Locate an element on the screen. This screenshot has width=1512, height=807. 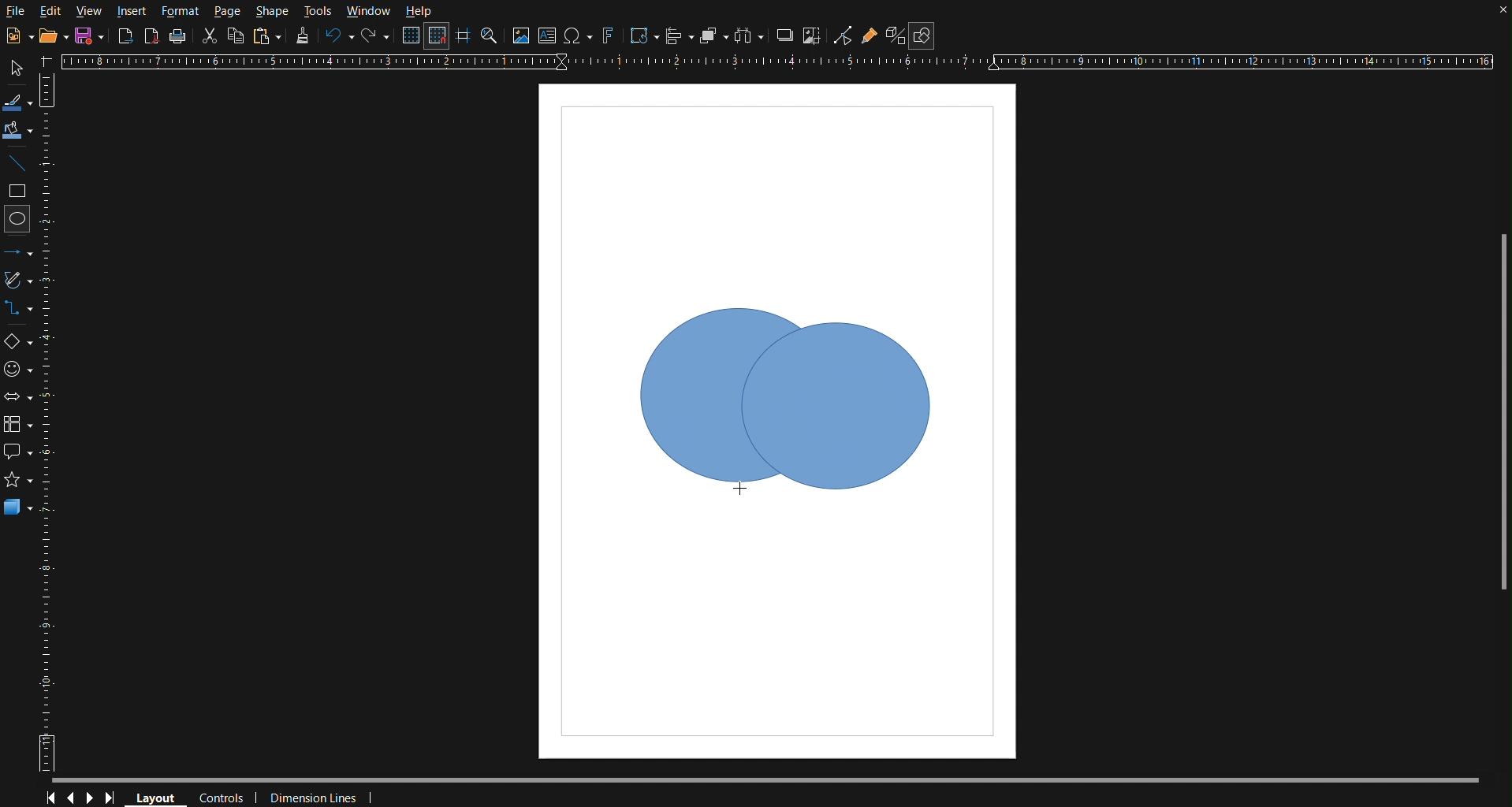
New is located at coordinates (87, 37).